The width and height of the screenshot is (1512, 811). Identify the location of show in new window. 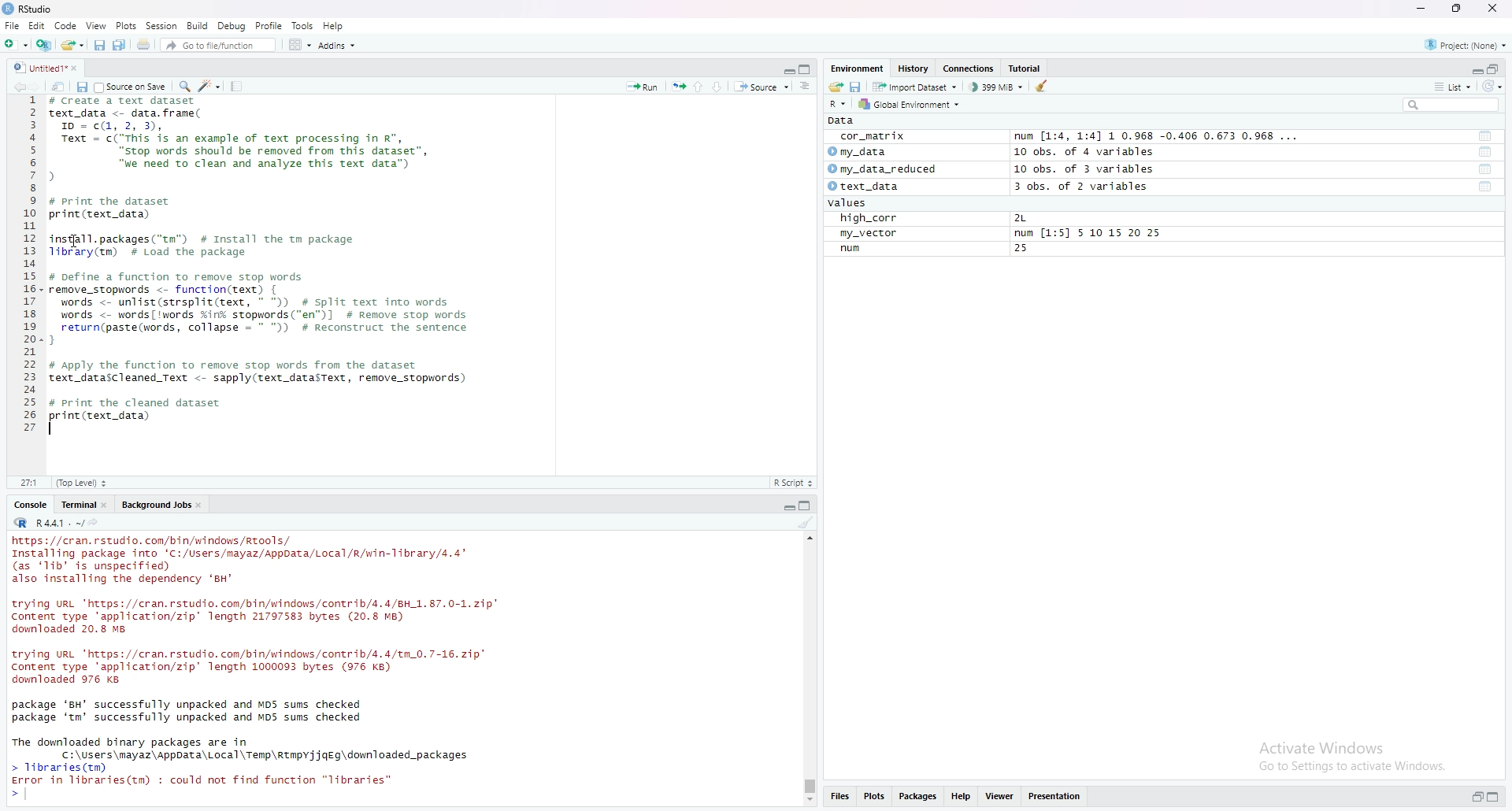
(59, 87).